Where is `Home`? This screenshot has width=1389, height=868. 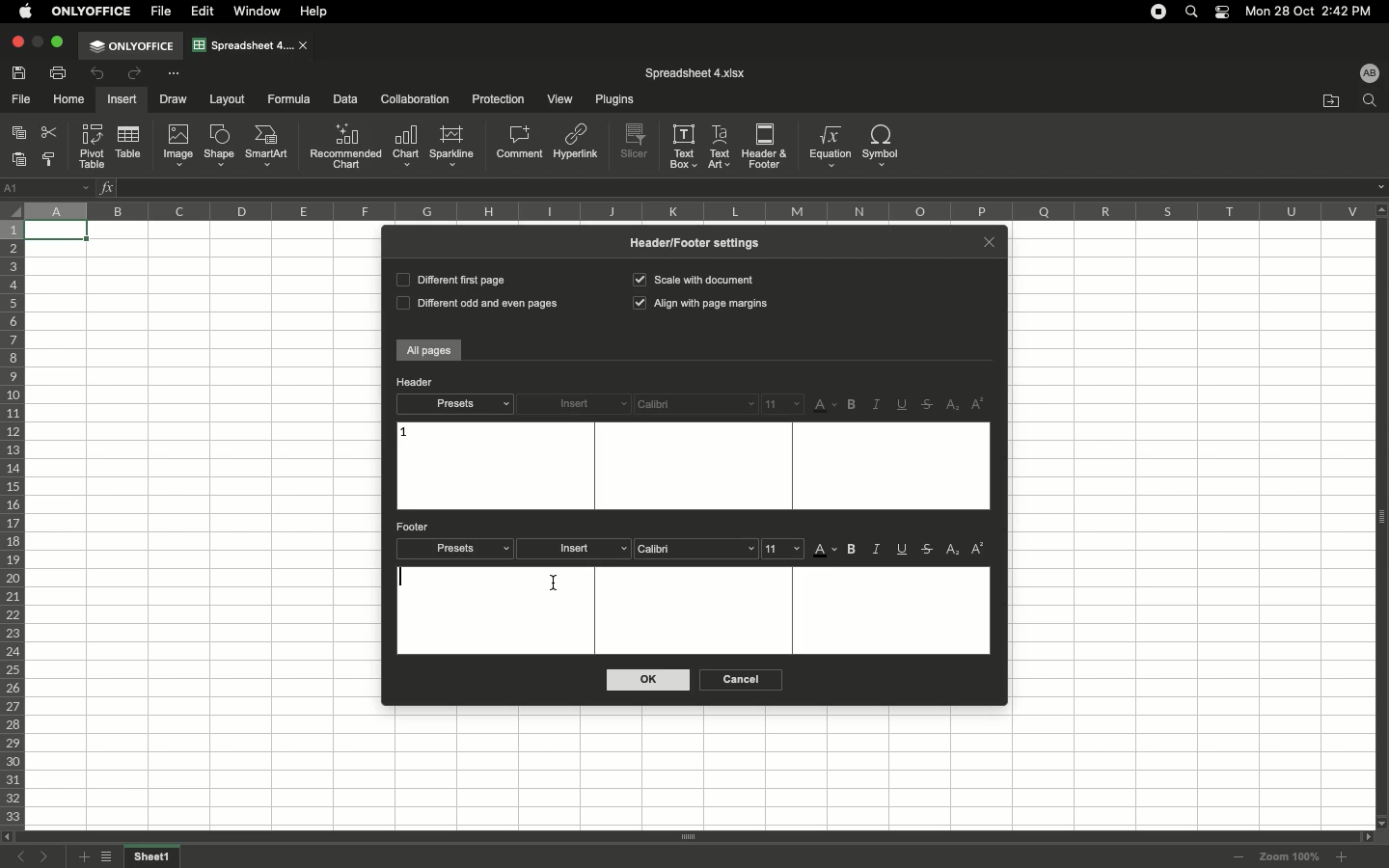 Home is located at coordinates (69, 100).